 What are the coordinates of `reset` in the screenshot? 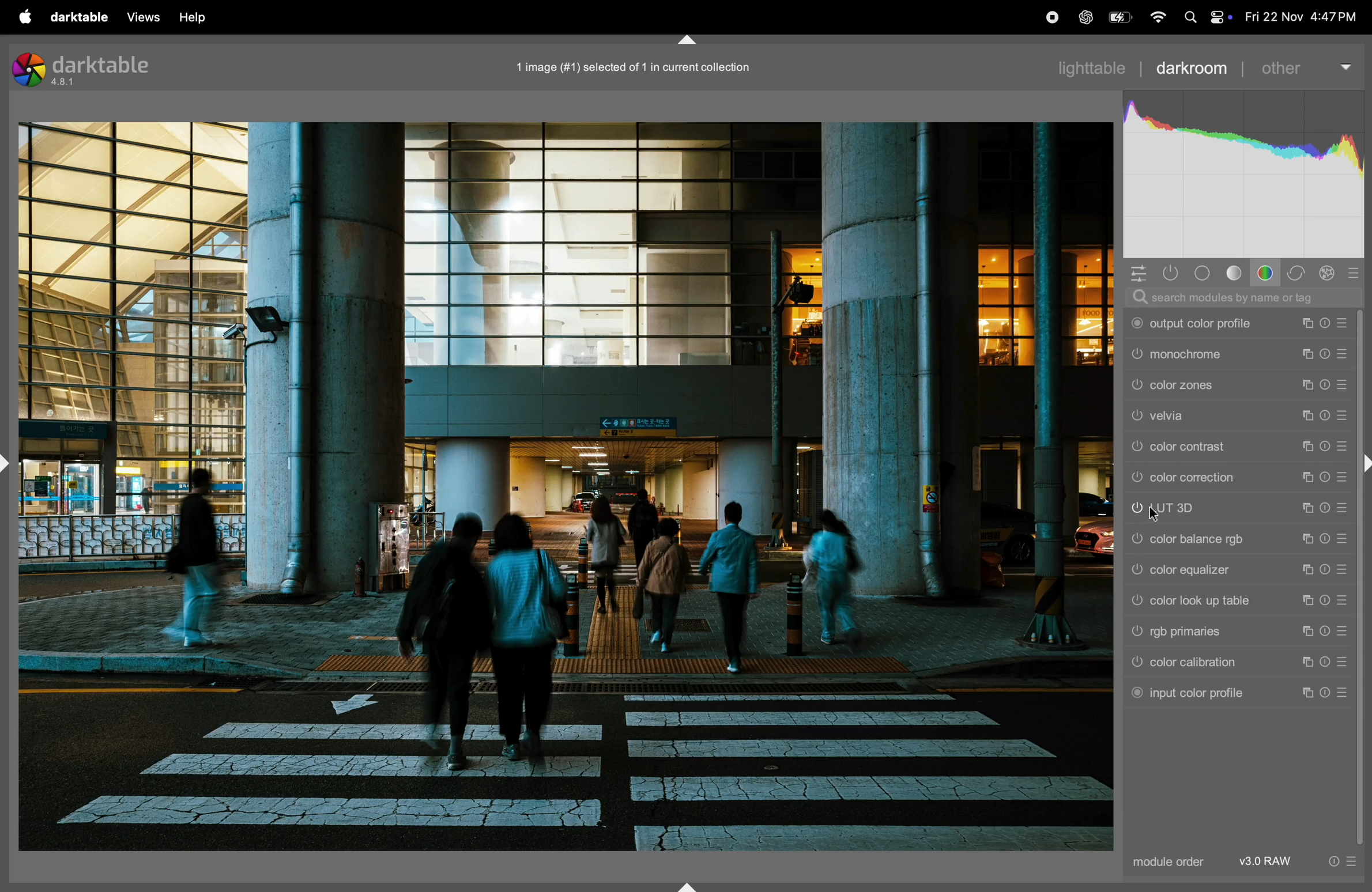 It's located at (1326, 659).